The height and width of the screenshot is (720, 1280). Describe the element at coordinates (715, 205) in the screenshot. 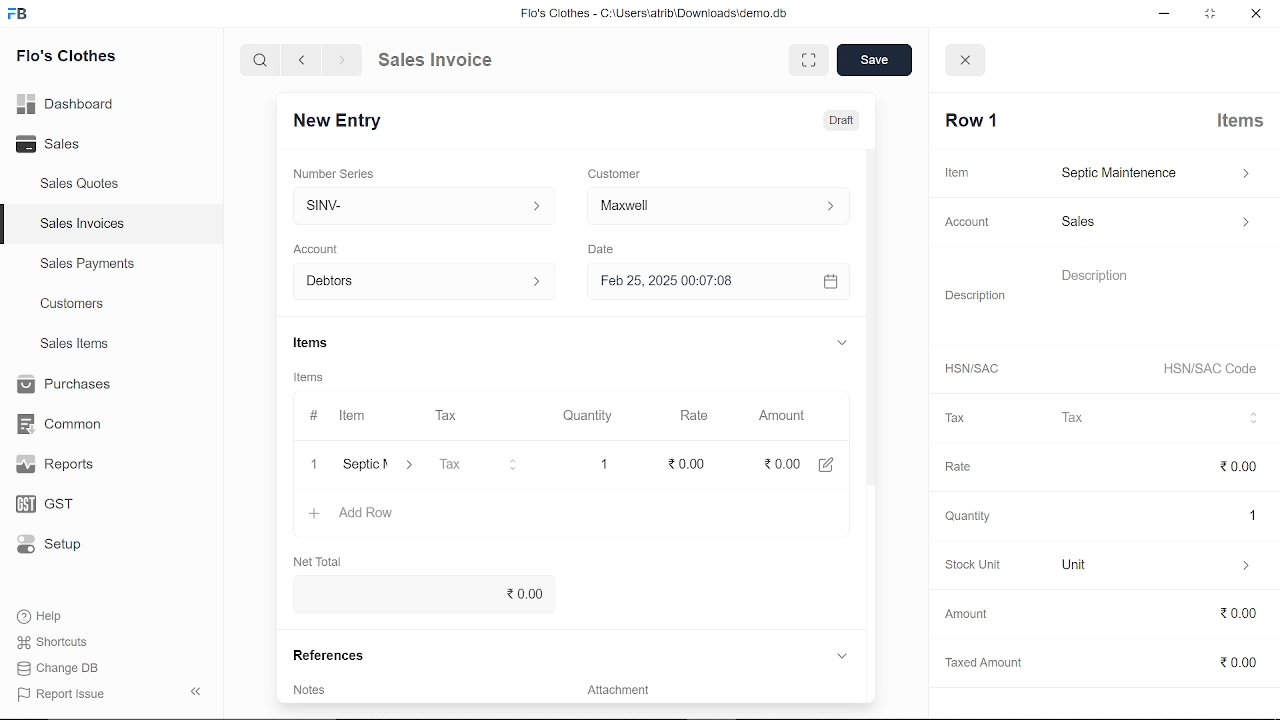

I see `Insert Customer` at that location.